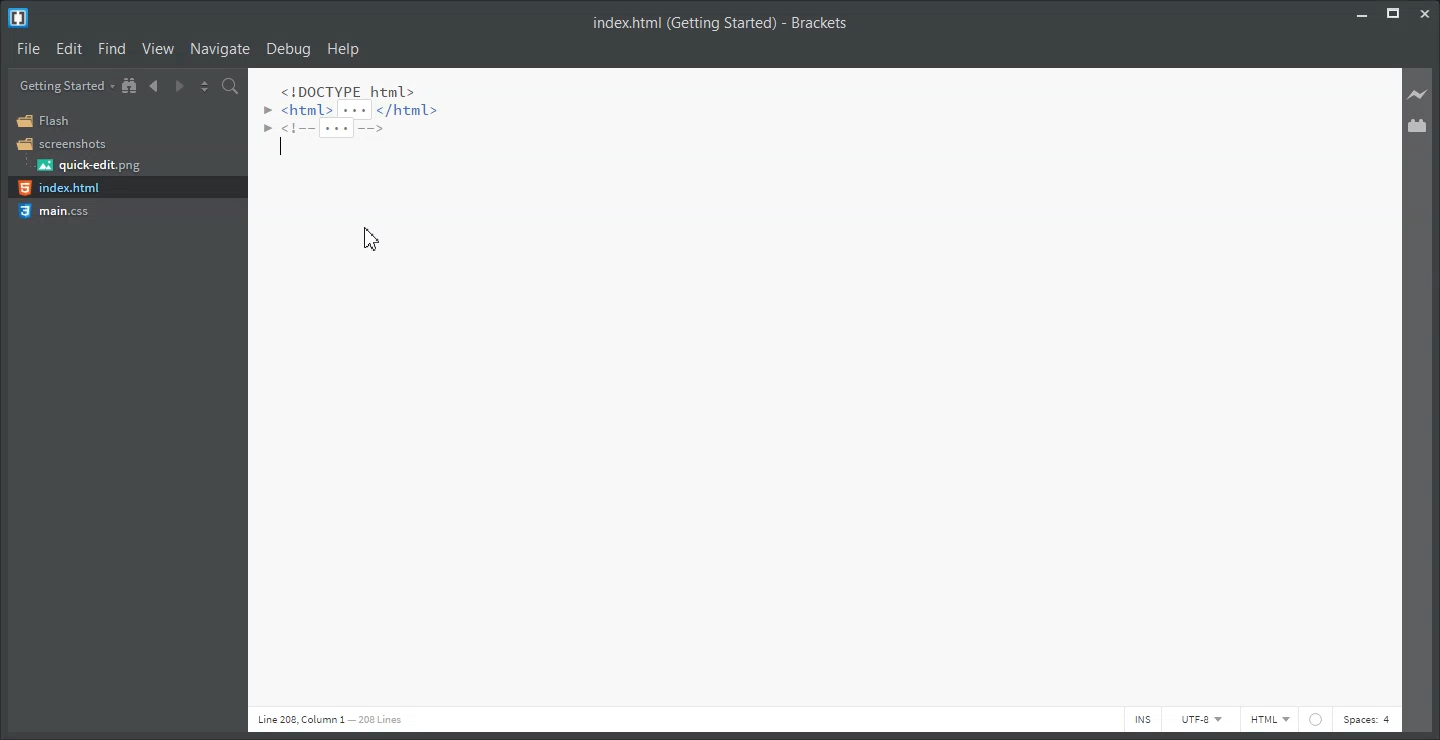 The width and height of the screenshot is (1440, 740). What do you see at coordinates (221, 49) in the screenshot?
I see `Navigate` at bounding box center [221, 49].